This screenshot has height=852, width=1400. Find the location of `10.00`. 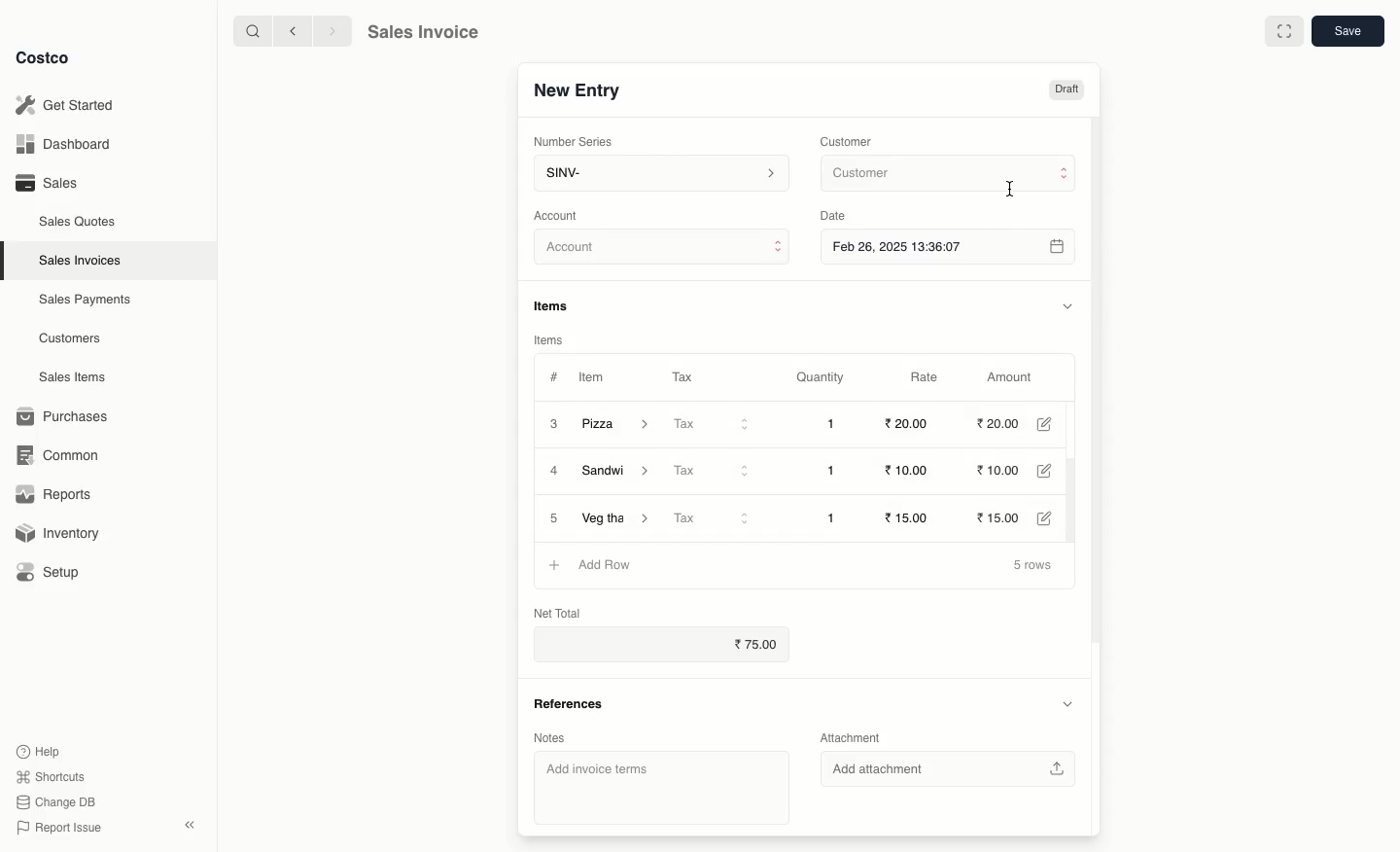

10.00 is located at coordinates (1007, 472).